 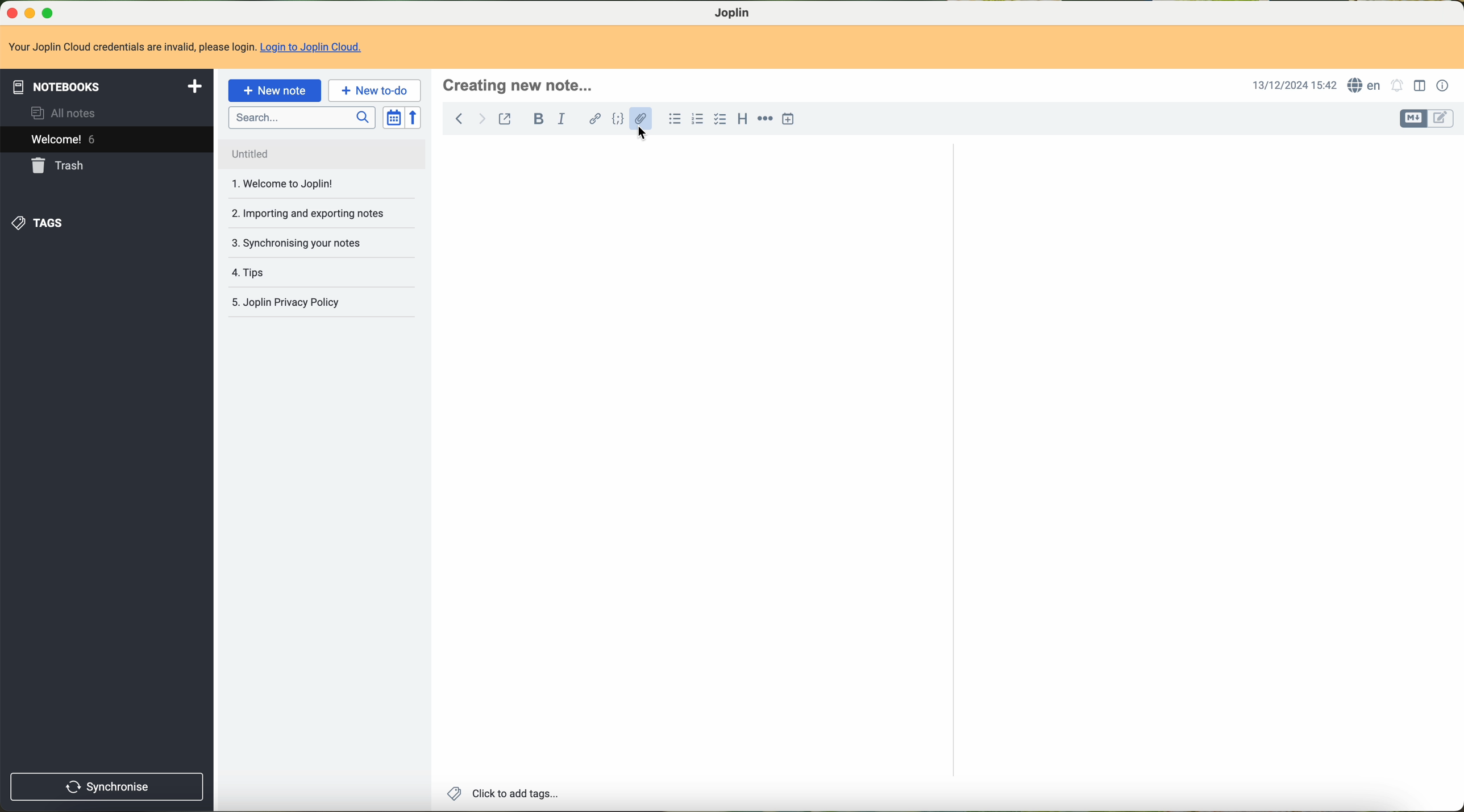 What do you see at coordinates (39, 224) in the screenshot?
I see `tags` at bounding box center [39, 224].